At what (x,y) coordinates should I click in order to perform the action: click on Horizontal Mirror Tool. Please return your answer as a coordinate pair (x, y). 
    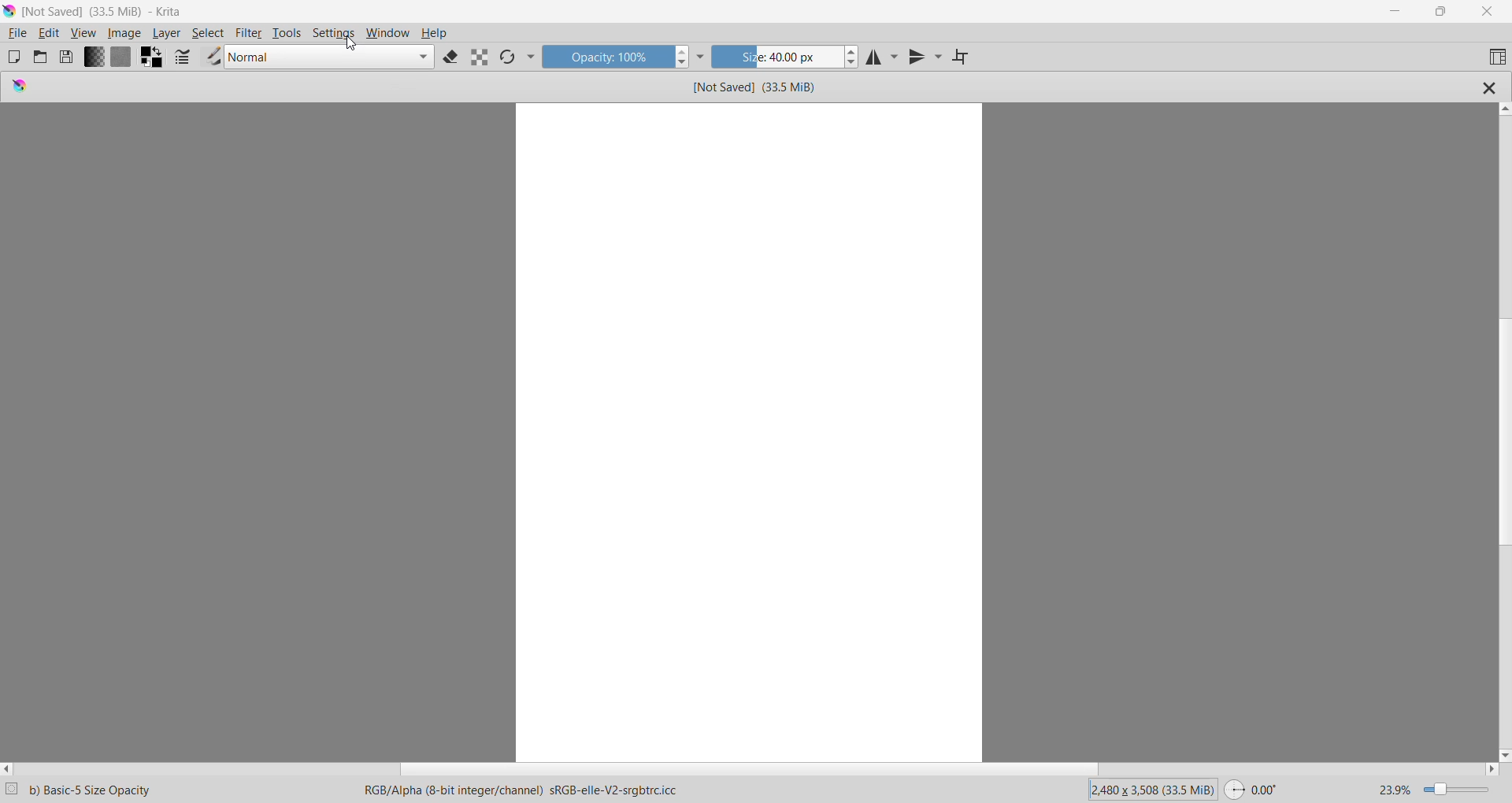
    Looking at the image, I should click on (883, 57).